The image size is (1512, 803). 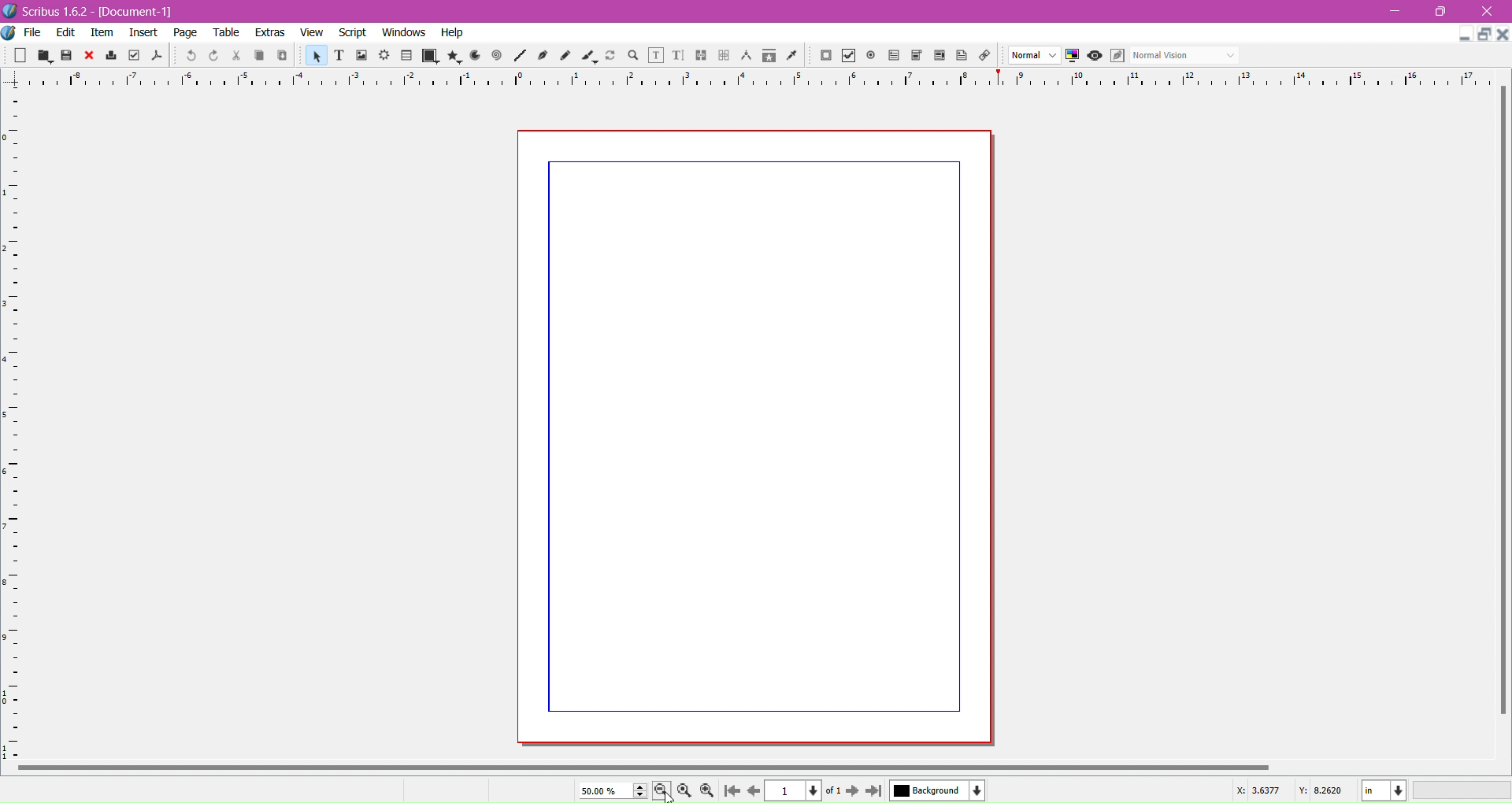 What do you see at coordinates (1034, 54) in the screenshot?
I see `Select the image preview quality` at bounding box center [1034, 54].